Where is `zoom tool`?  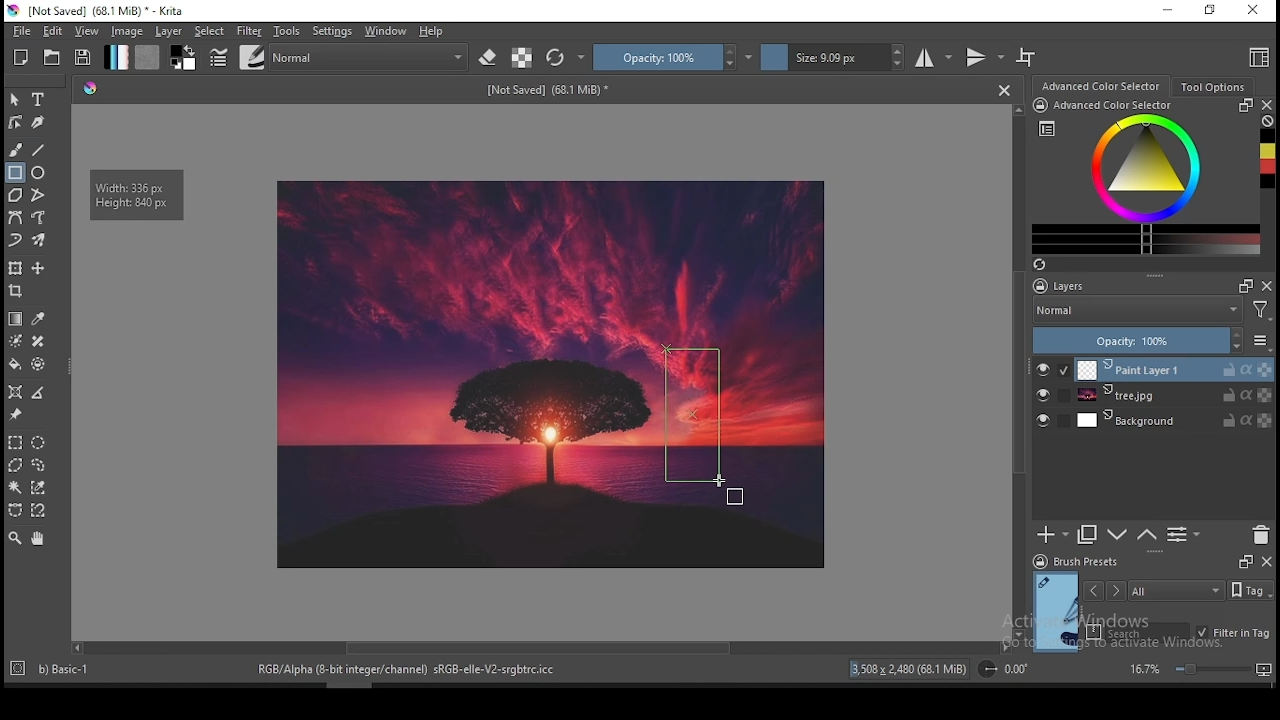
zoom tool is located at coordinates (15, 539).